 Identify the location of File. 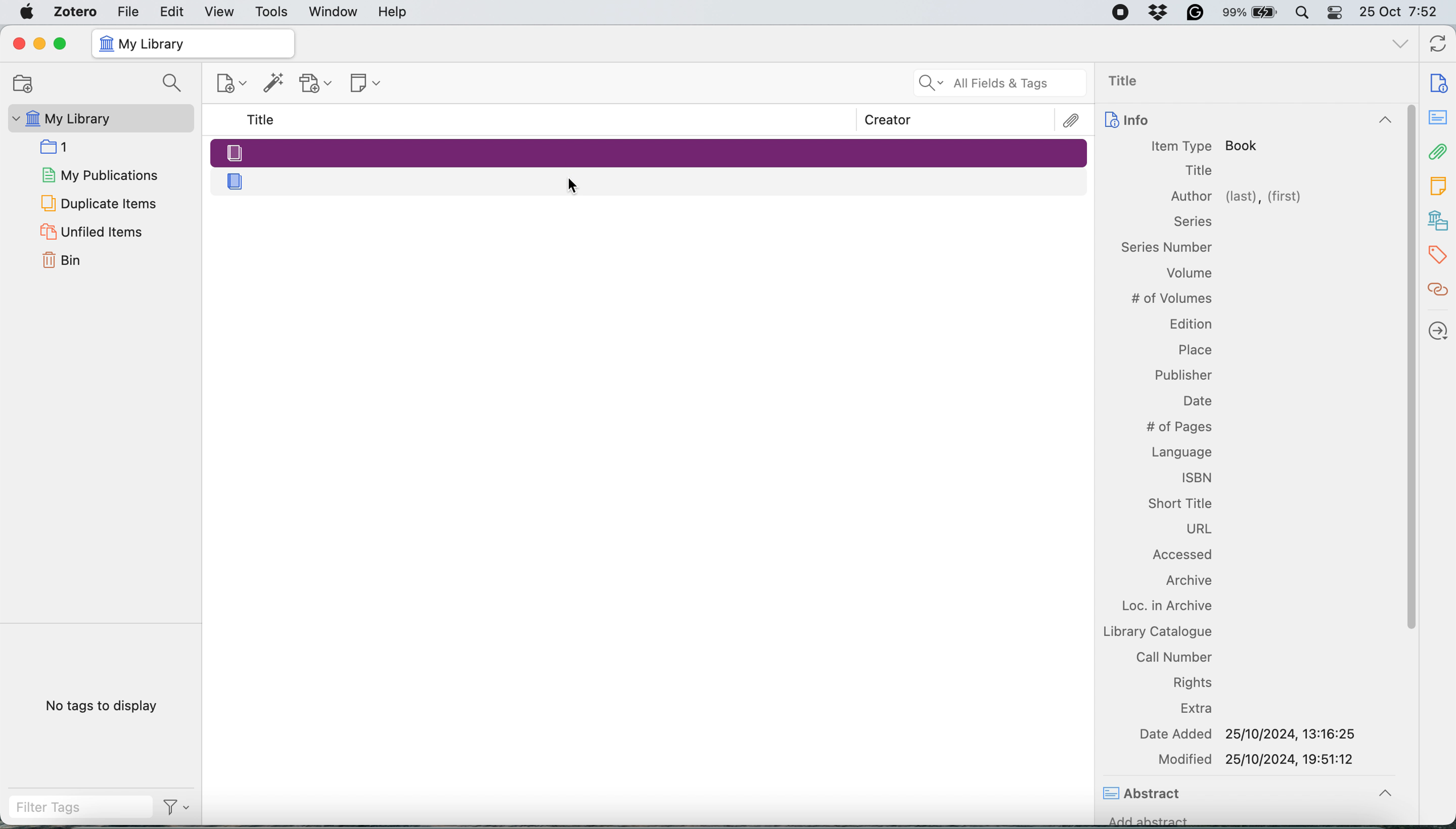
(128, 11).